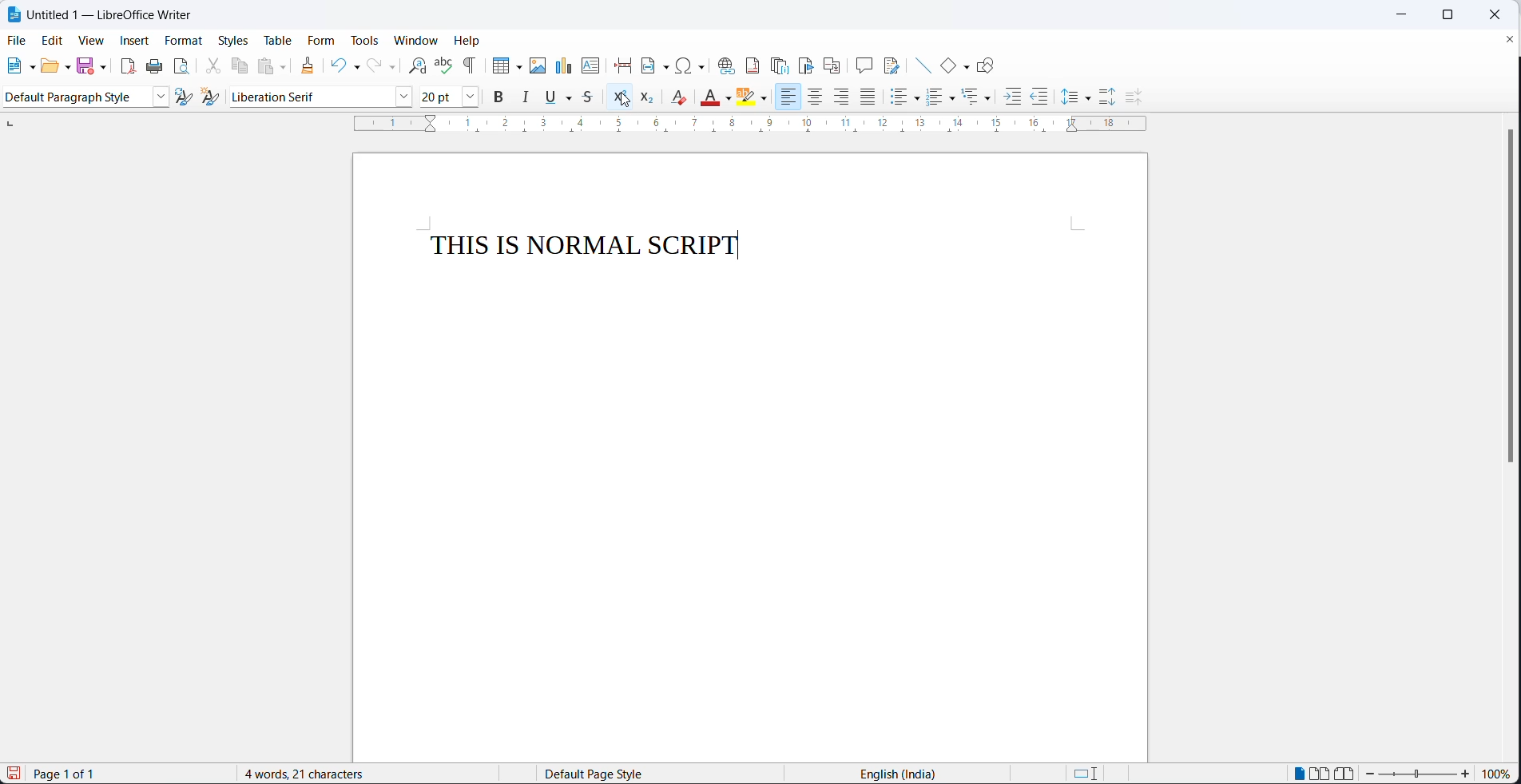 The height and width of the screenshot is (784, 1521). I want to click on toggle ordered list, so click(935, 97).